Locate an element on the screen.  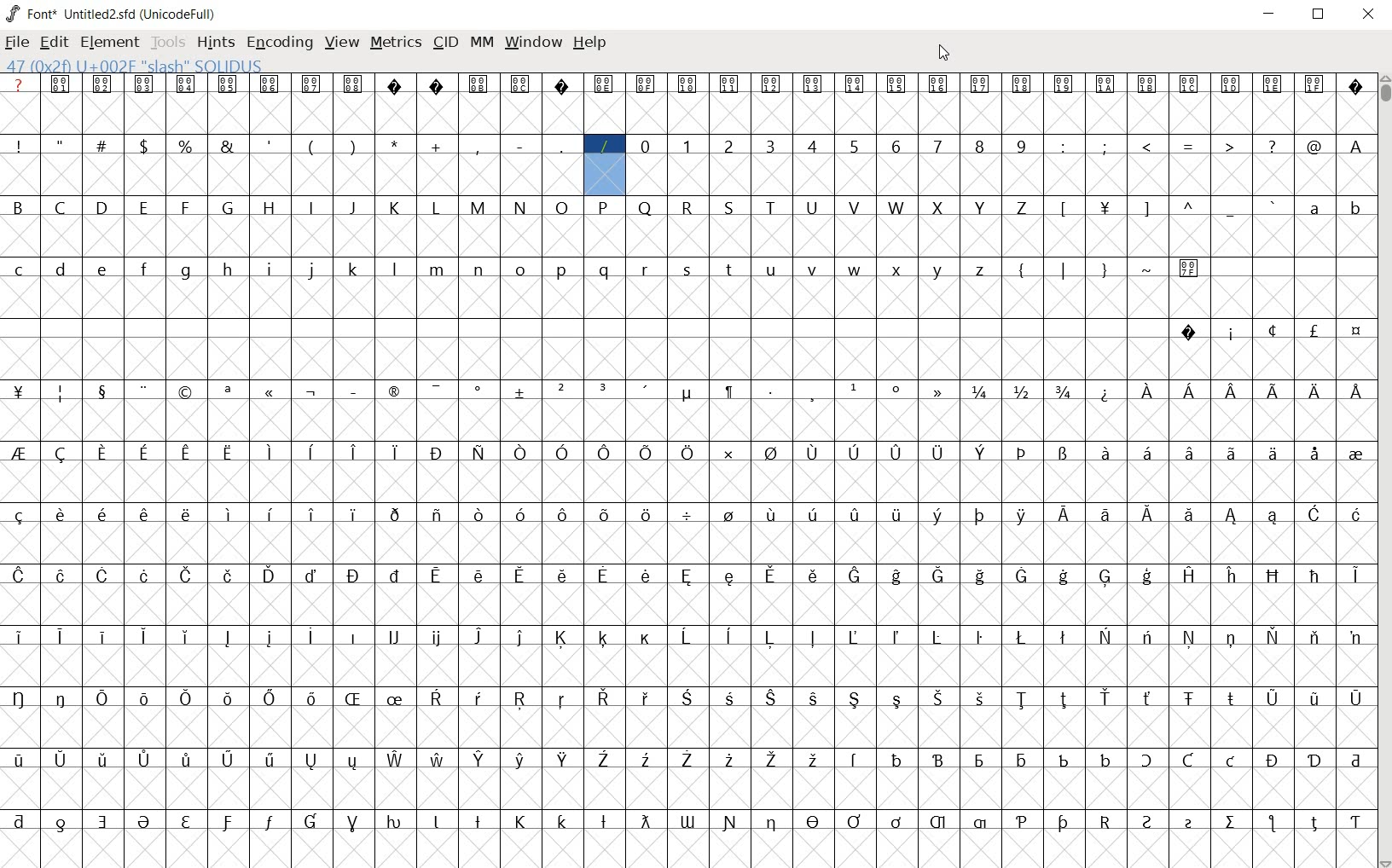
glyph is located at coordinates (937, 146).